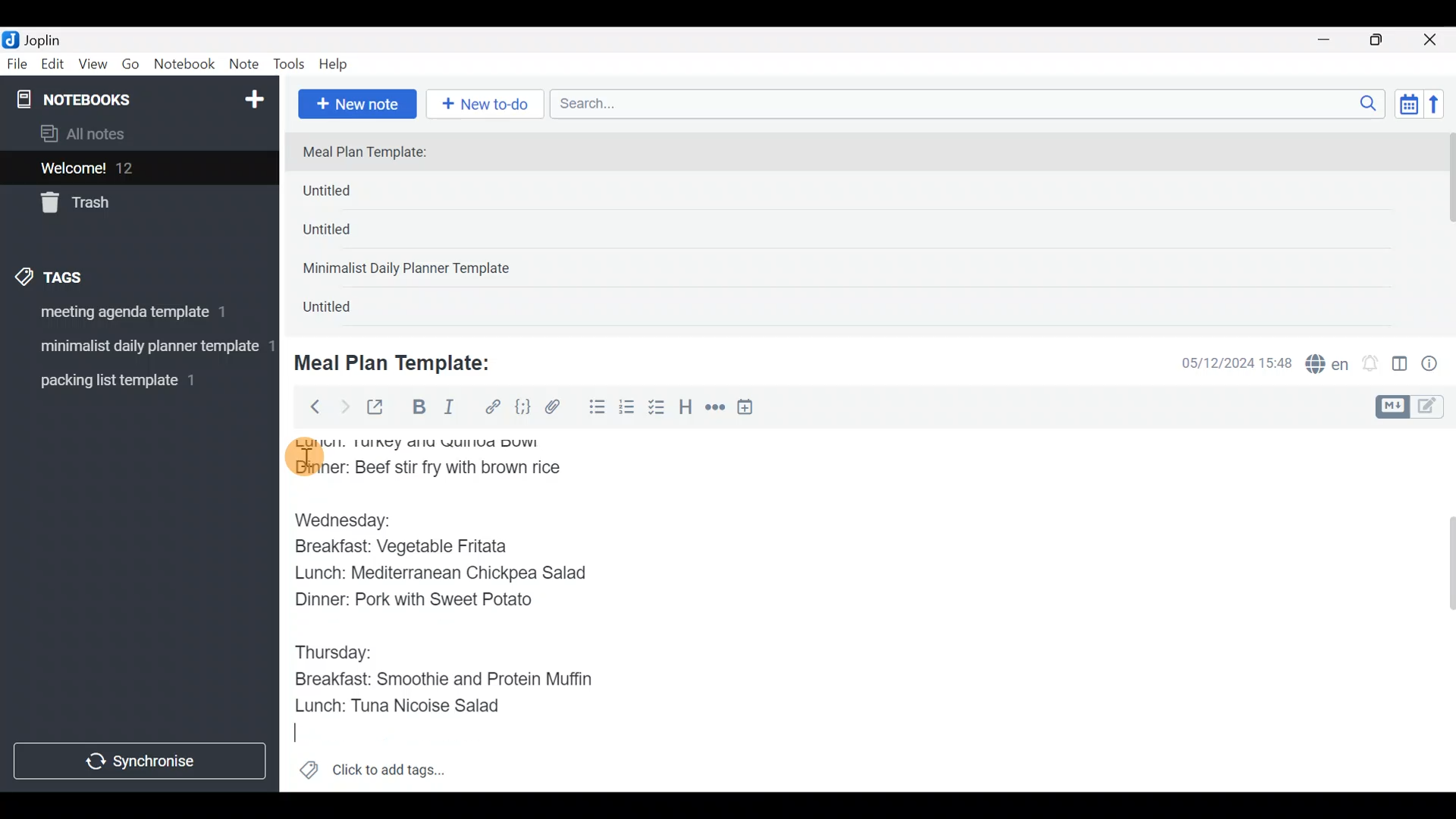 This screenshot has width=1456, height=819. What do you see at coordinates (135, 316) in the screenshot?
I see `Tag 1` at bounding box center [135, 316].